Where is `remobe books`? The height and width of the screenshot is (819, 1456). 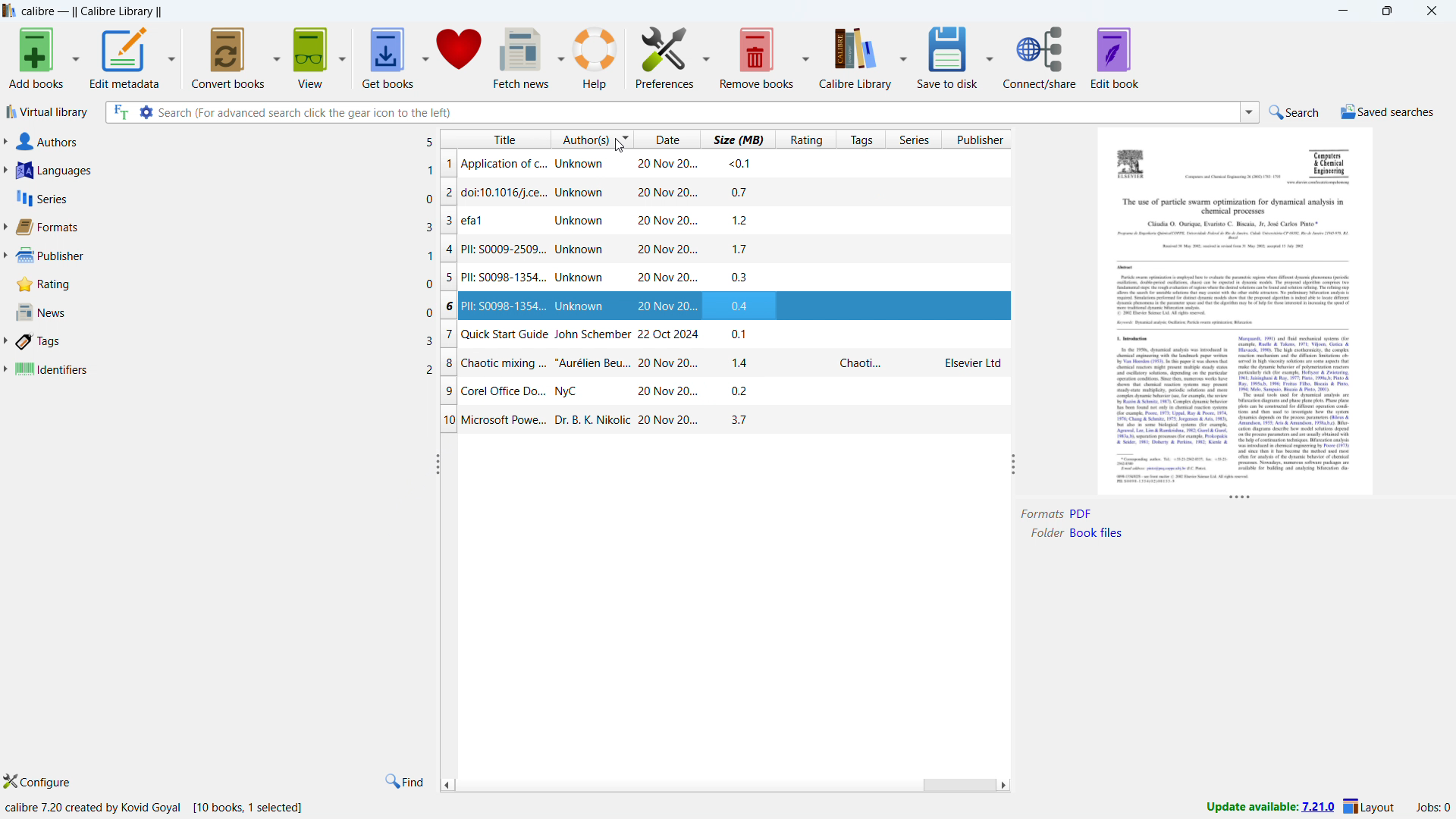 remobe books is located at coordinates (757, 57).